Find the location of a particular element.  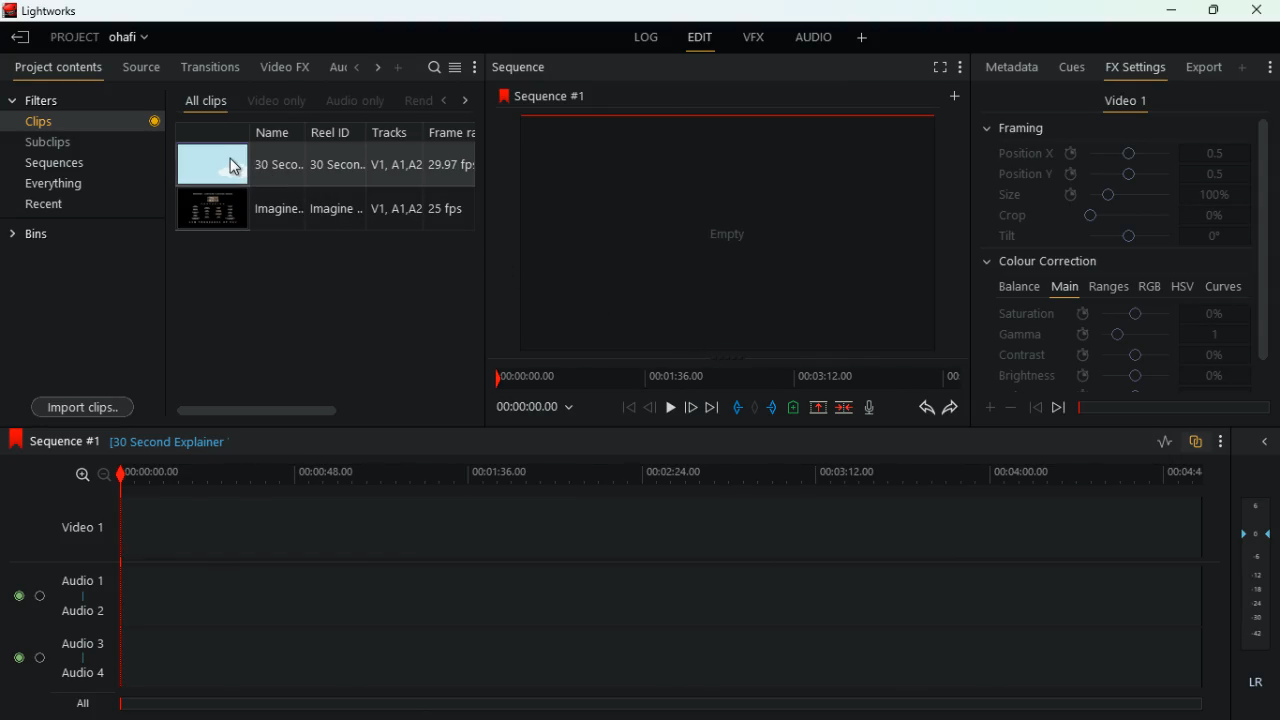

back is located at coordinates (1035, 407).